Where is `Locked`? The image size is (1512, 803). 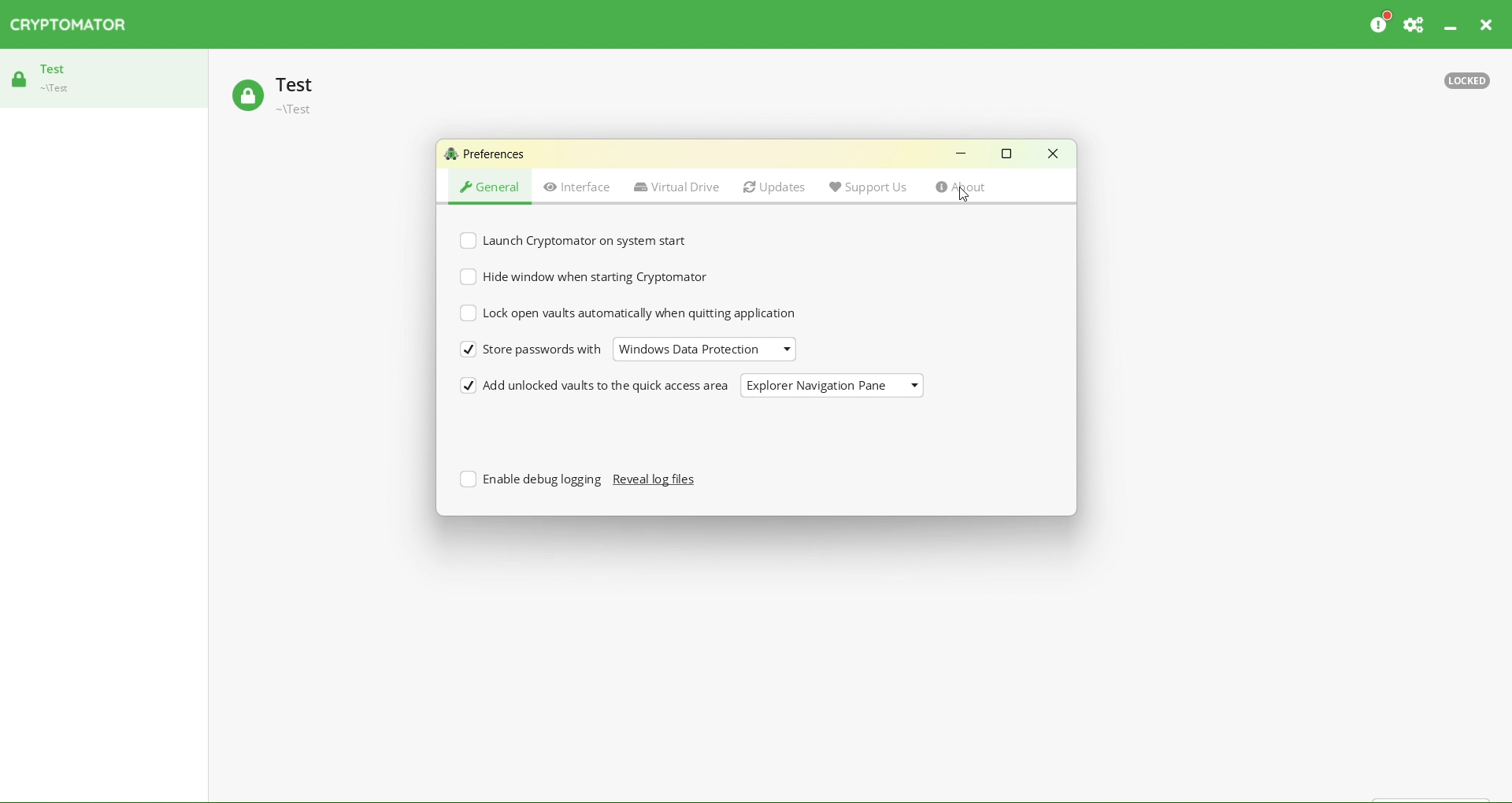
Locked is located at coordinates (1467, 78).